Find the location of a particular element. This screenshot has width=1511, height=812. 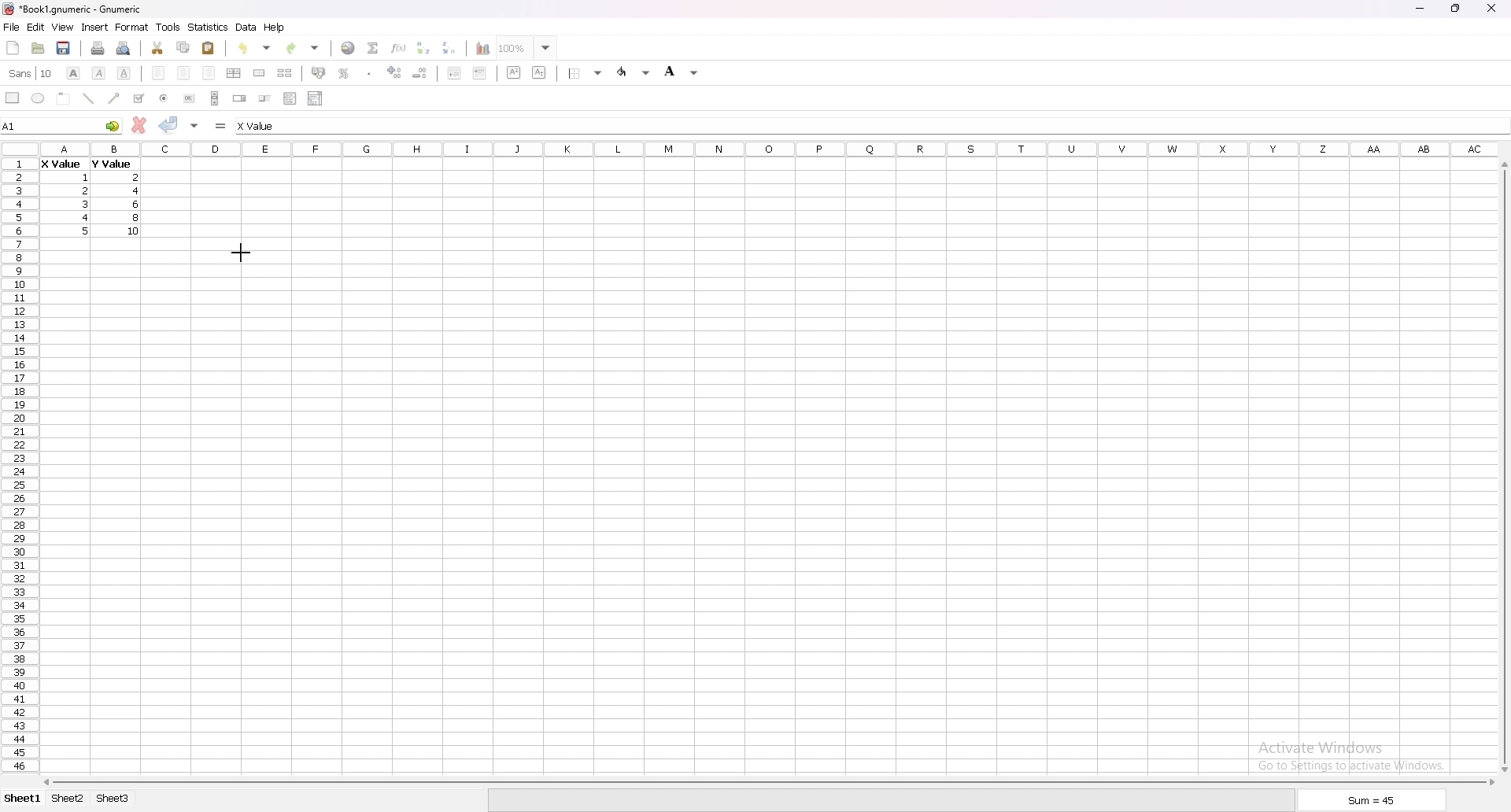

value is located at coordinates (84, 190).